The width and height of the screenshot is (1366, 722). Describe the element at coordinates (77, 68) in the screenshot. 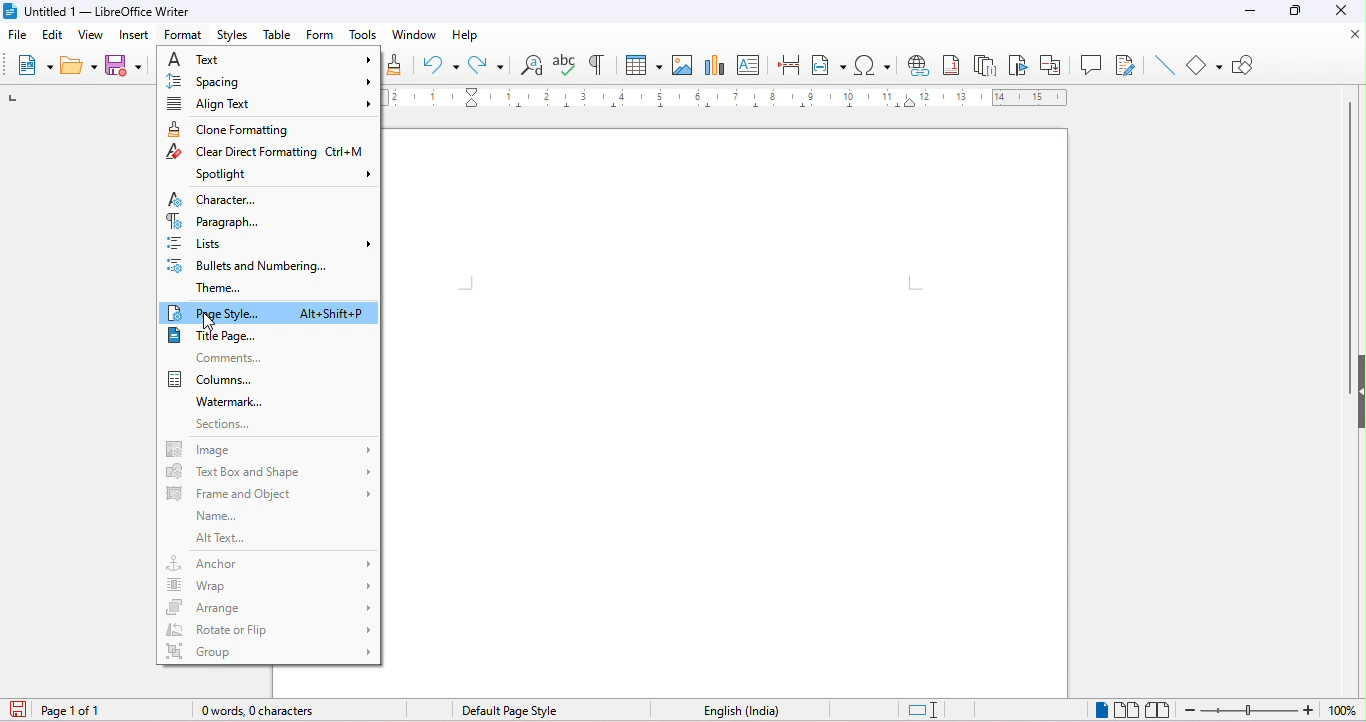

I see `open` at that location.